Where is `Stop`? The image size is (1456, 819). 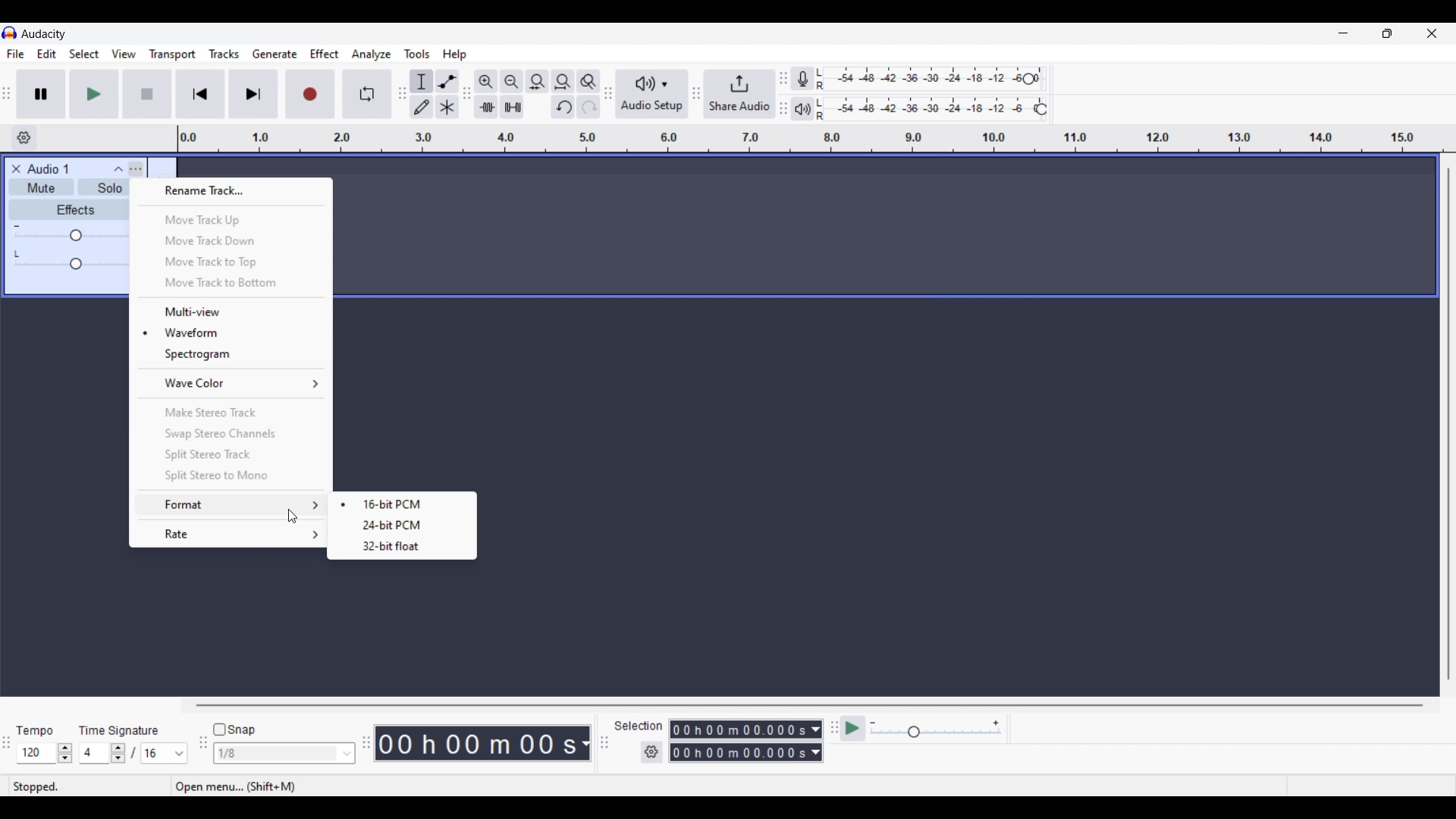 Stop is located at coordinates (148, 94).